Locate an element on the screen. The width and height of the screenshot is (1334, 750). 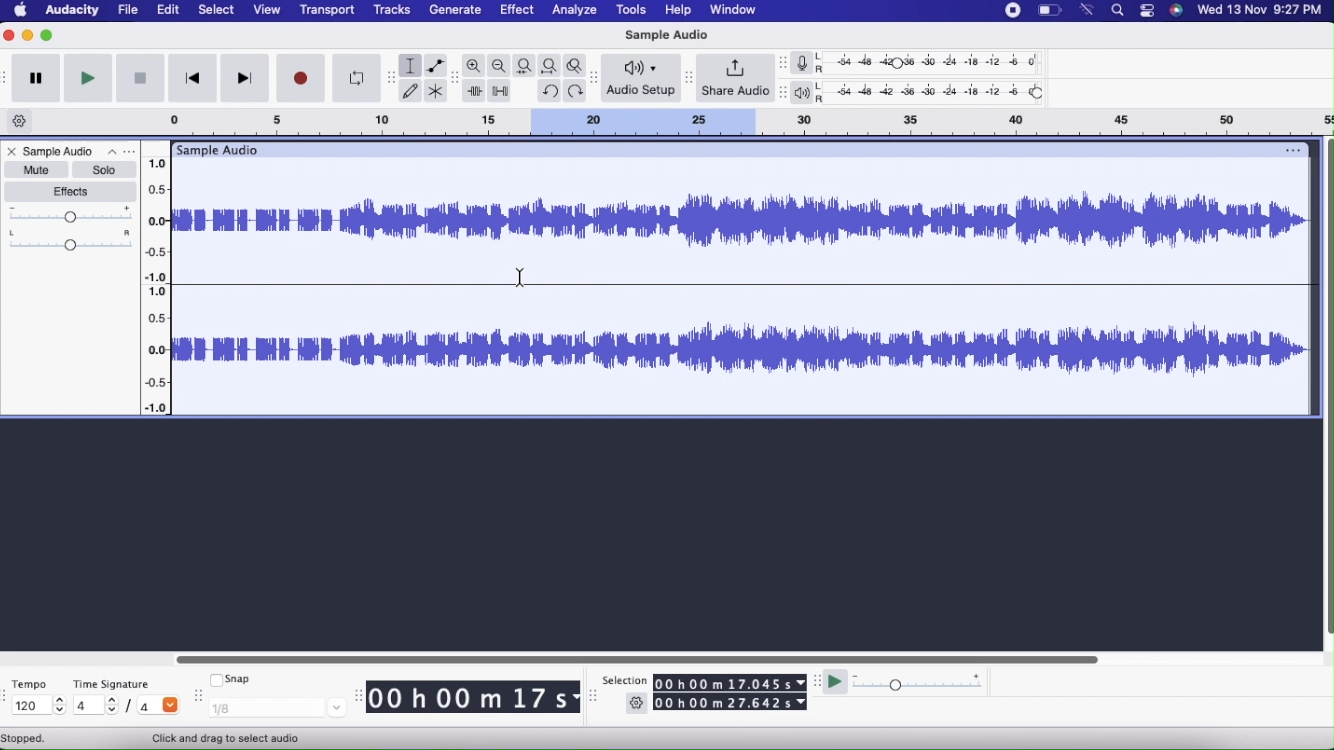
move toolbar is located at coordinates (8, 76).